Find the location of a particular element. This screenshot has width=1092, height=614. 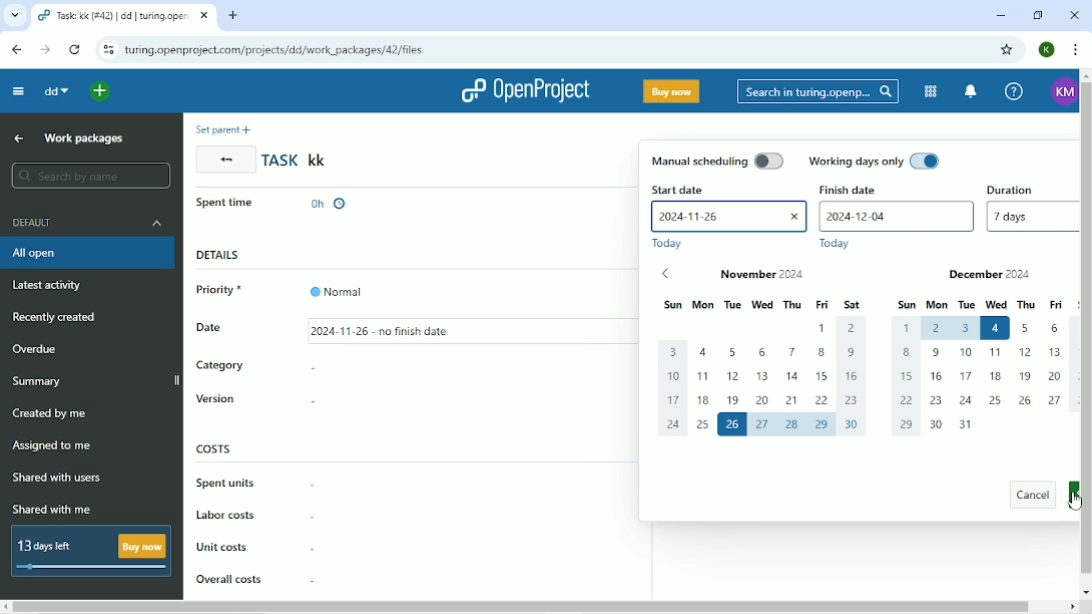

2024-11-26 is located at coordinates (730, 216).